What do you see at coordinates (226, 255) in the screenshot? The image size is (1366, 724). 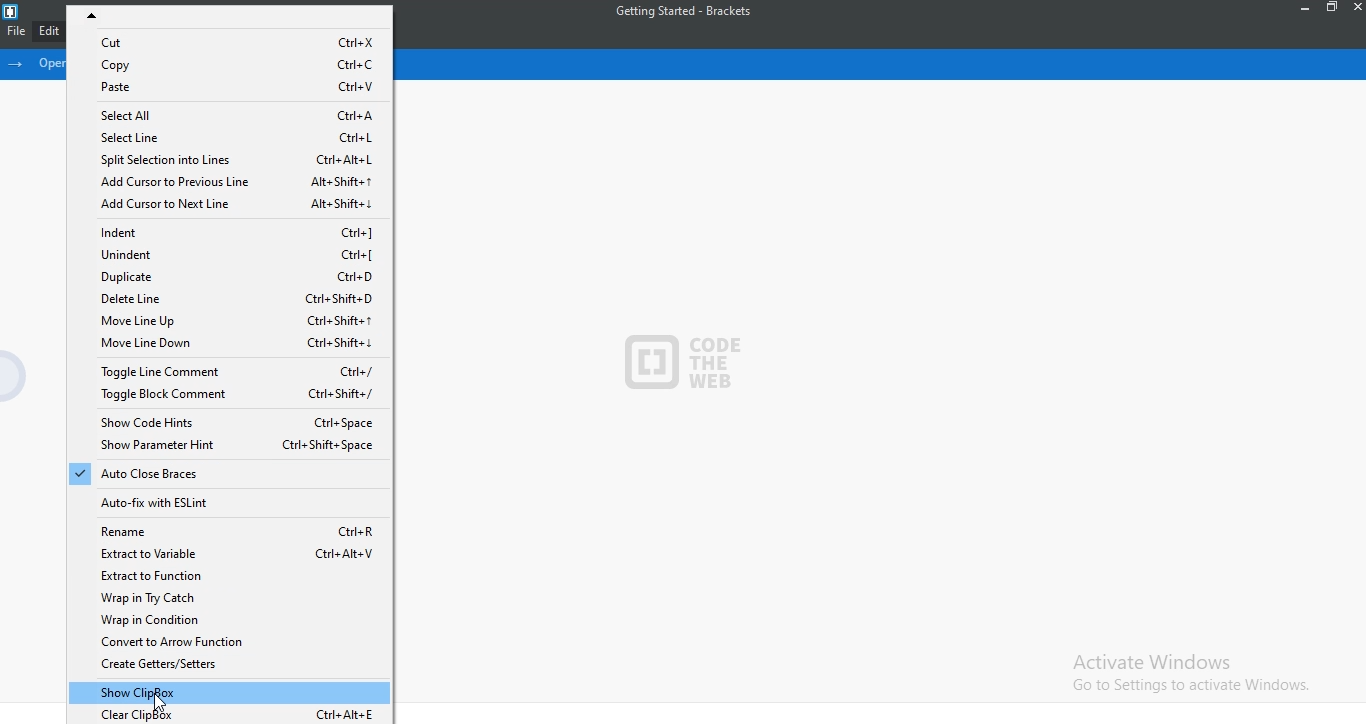 I see `Unindent` at bounding box center [226, 255].